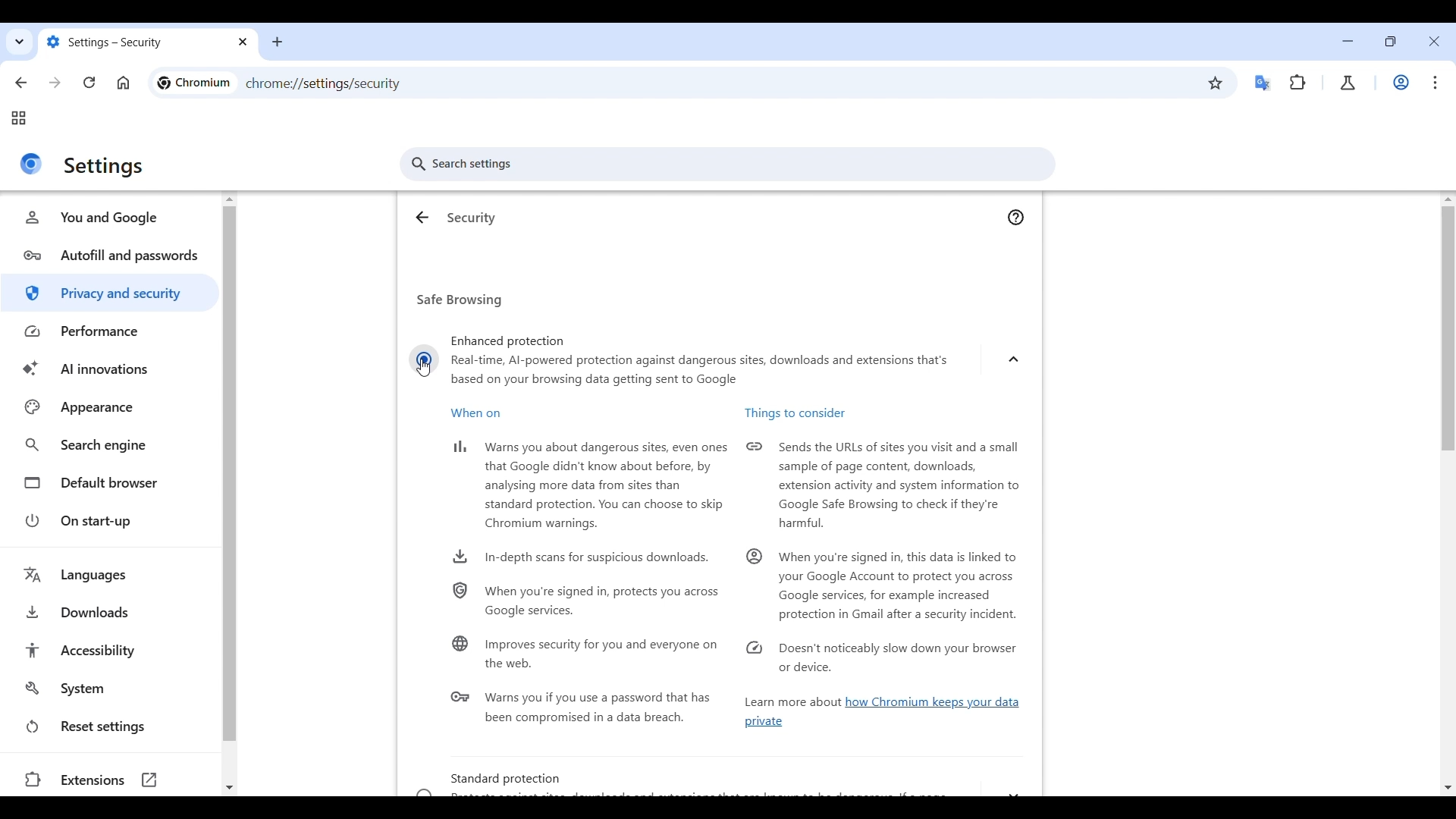 The width and height of the screenshot is (1456, 819). What do you see at coordinates (1348, 41) in the screenshot?
I see `Minimize` at bounding box center [1348, 41].